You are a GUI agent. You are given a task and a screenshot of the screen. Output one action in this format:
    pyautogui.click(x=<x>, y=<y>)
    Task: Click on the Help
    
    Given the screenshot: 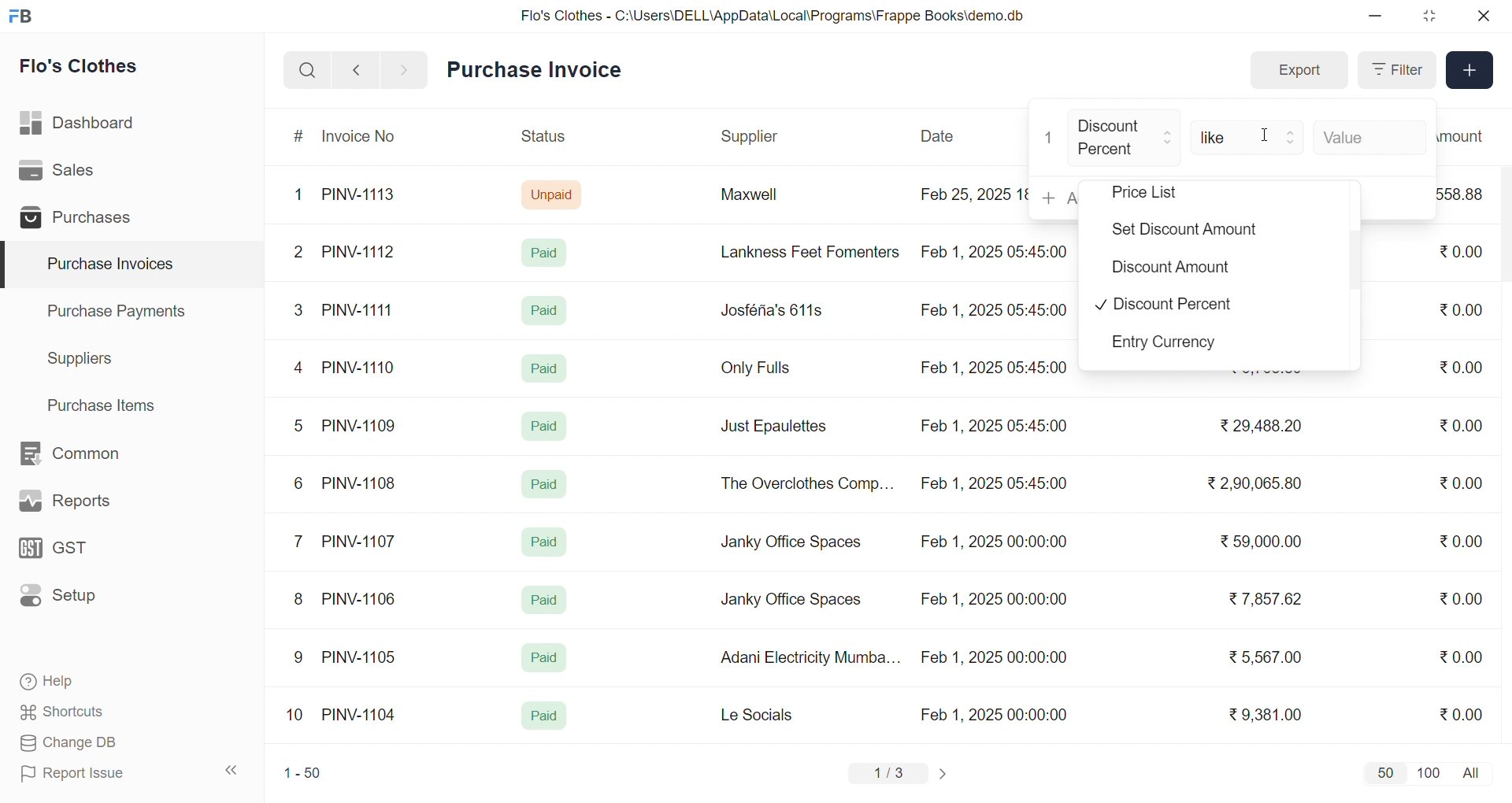 What is the action you would take?
    pyautogui.click(x=98, y=683)
    